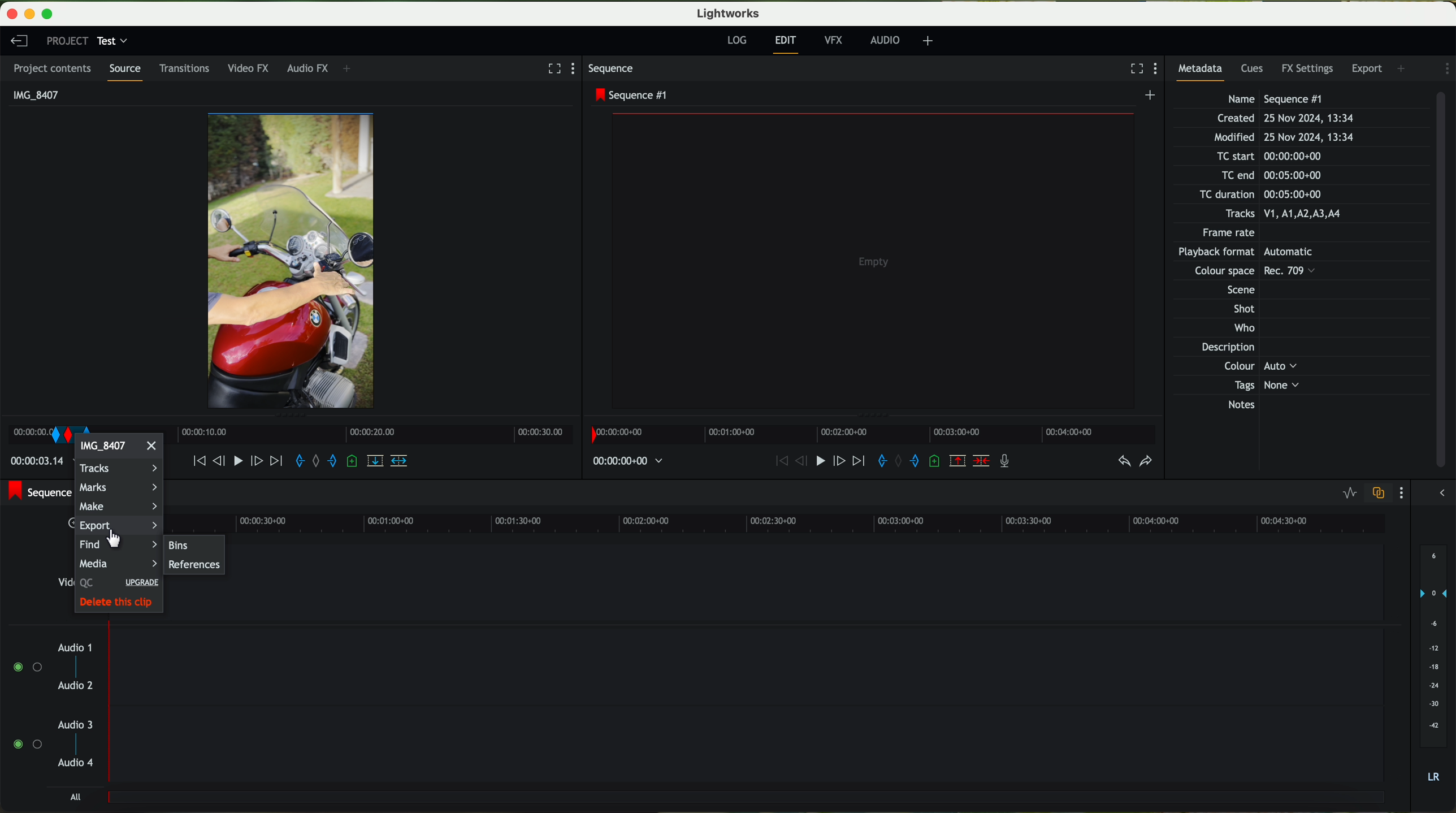 Image resolution: width=1456 pixels, height=813 pixels. Describe the element at coordinates (631, 95) in the screenshot. I see `sequence #1` at that location.